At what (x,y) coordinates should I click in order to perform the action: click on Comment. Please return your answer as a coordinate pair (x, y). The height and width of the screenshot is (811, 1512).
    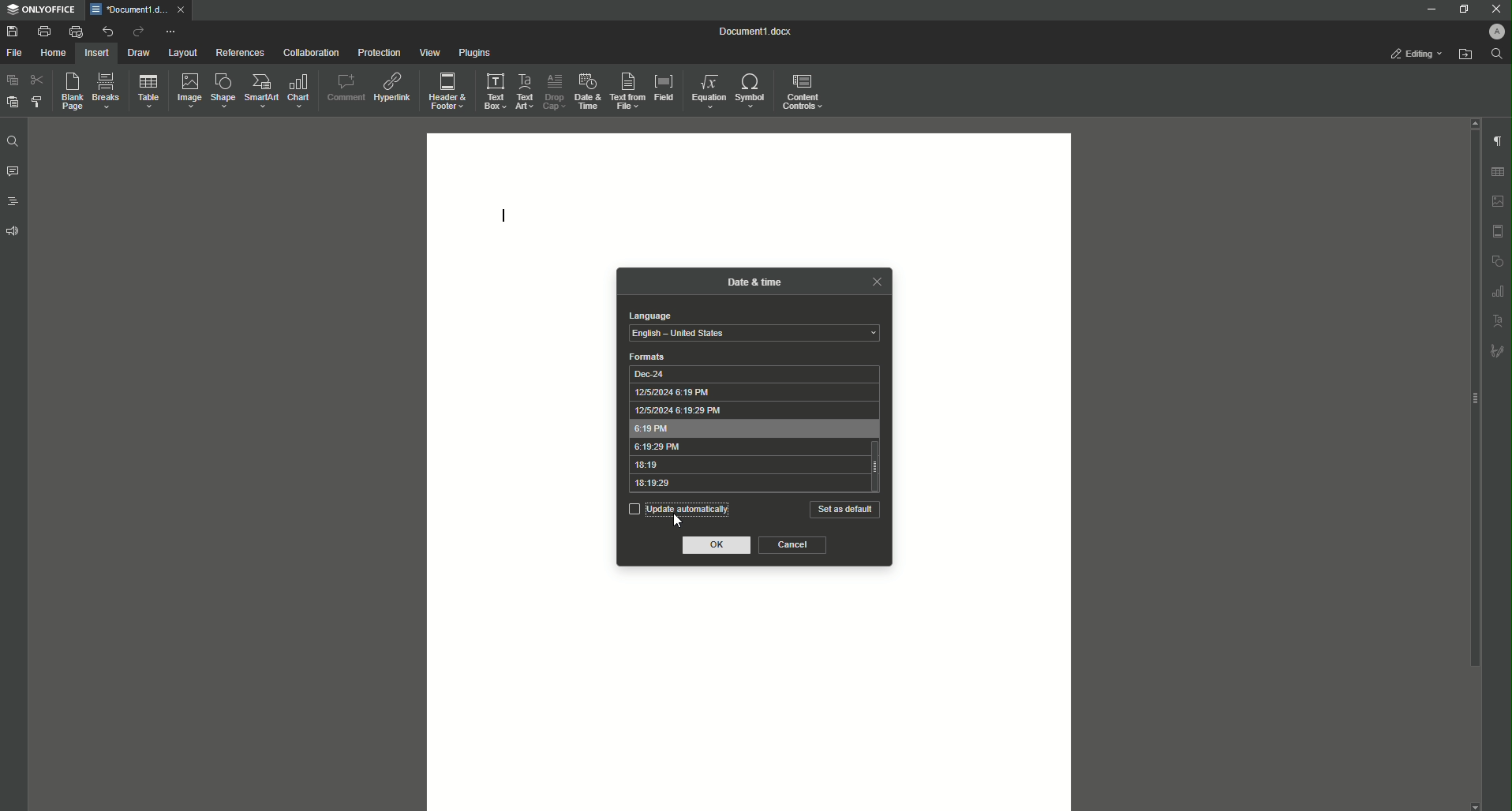
    Looking at the image, I should click on (344, 85).